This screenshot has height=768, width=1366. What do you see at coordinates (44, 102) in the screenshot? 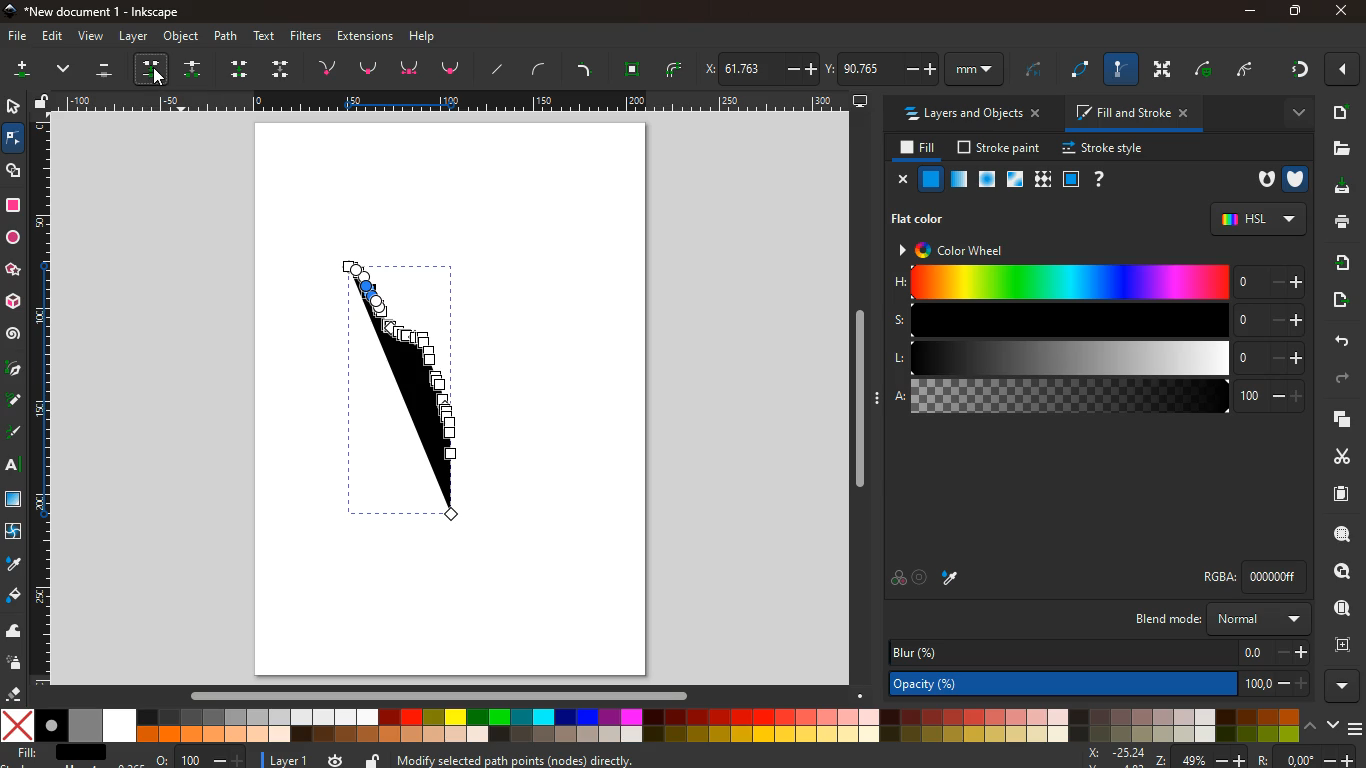
I see `unlock` at bounding box center [44, 102].